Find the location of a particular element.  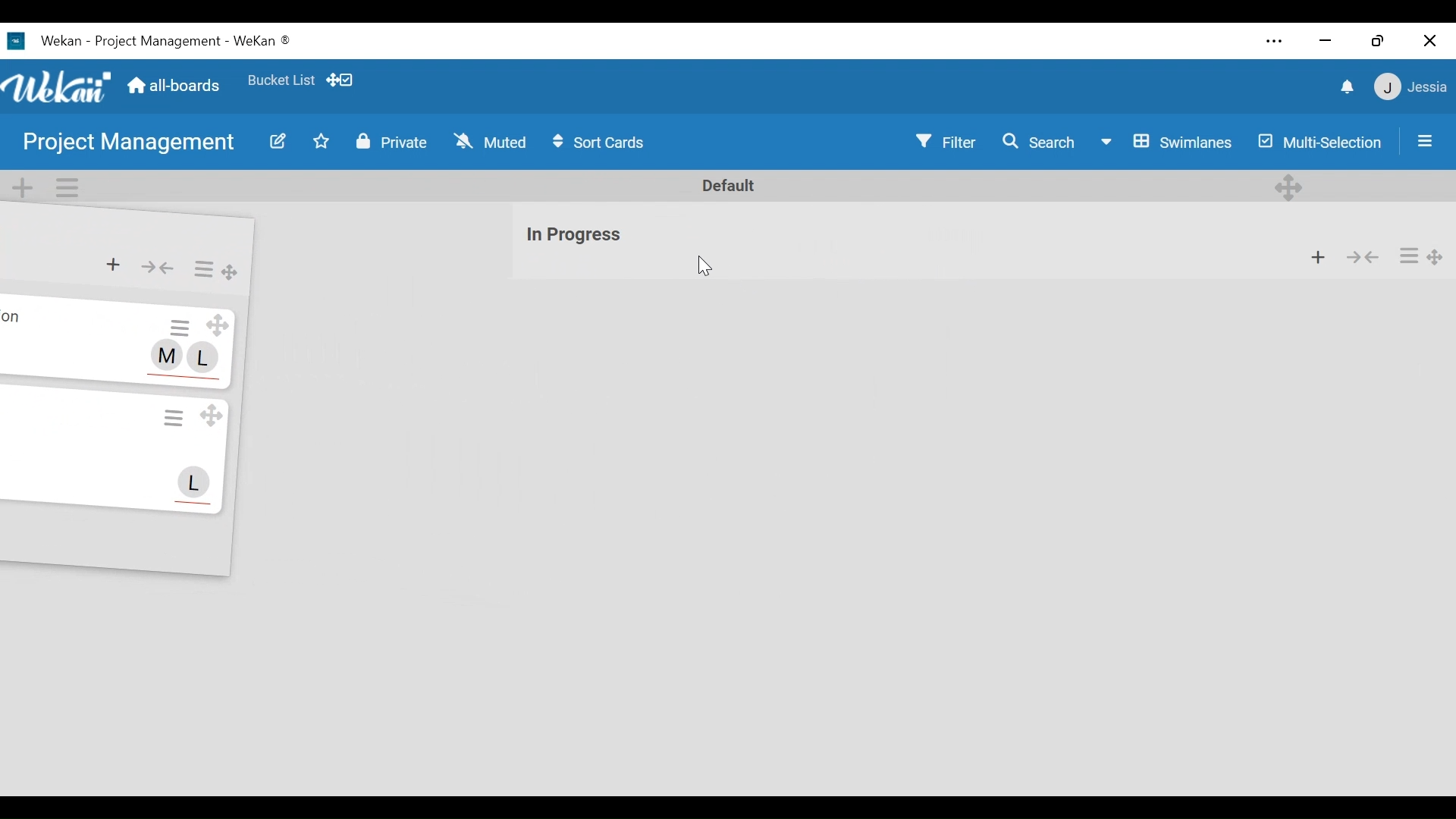

Sort Cards is located at coordinates (598, 143).